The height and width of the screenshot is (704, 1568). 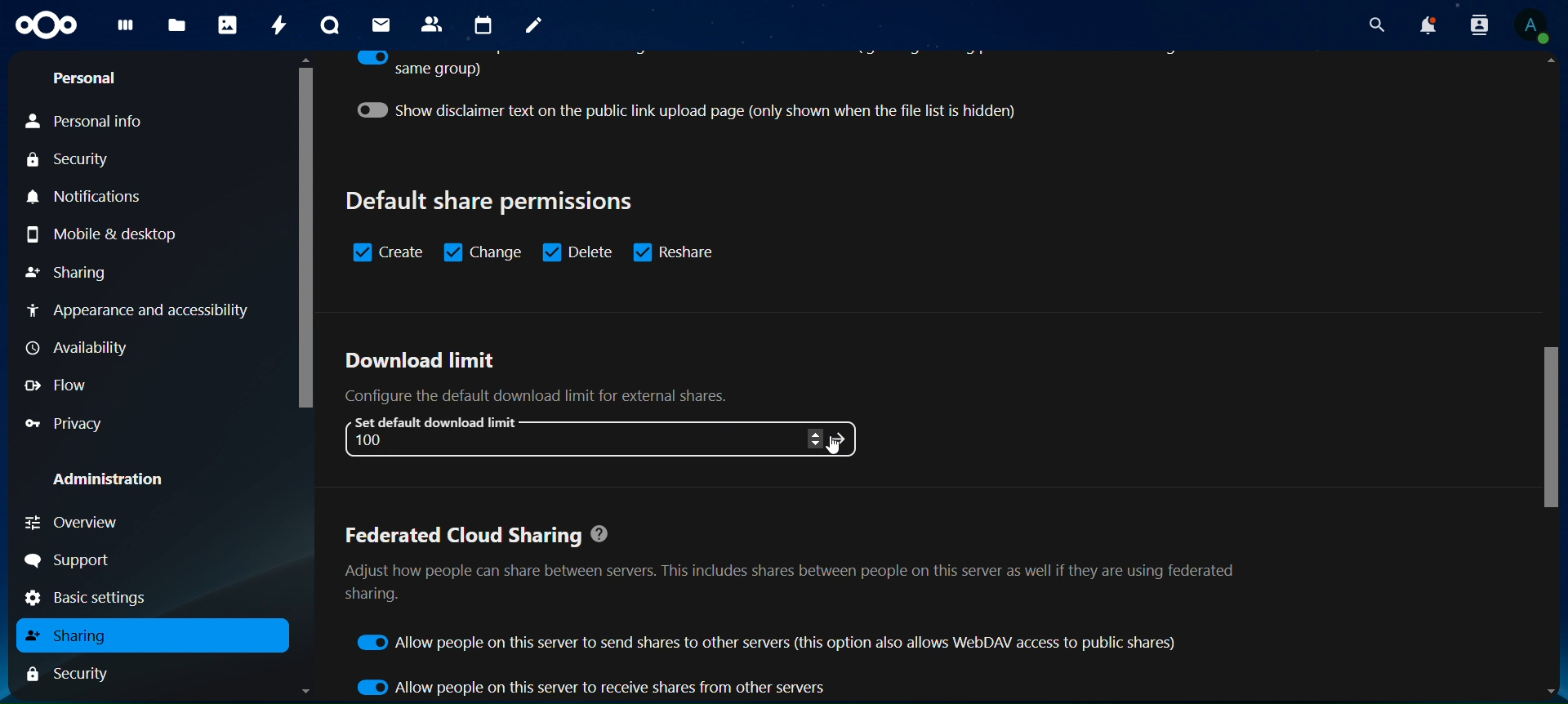 I want to click on change, so click(x=484, y=251).